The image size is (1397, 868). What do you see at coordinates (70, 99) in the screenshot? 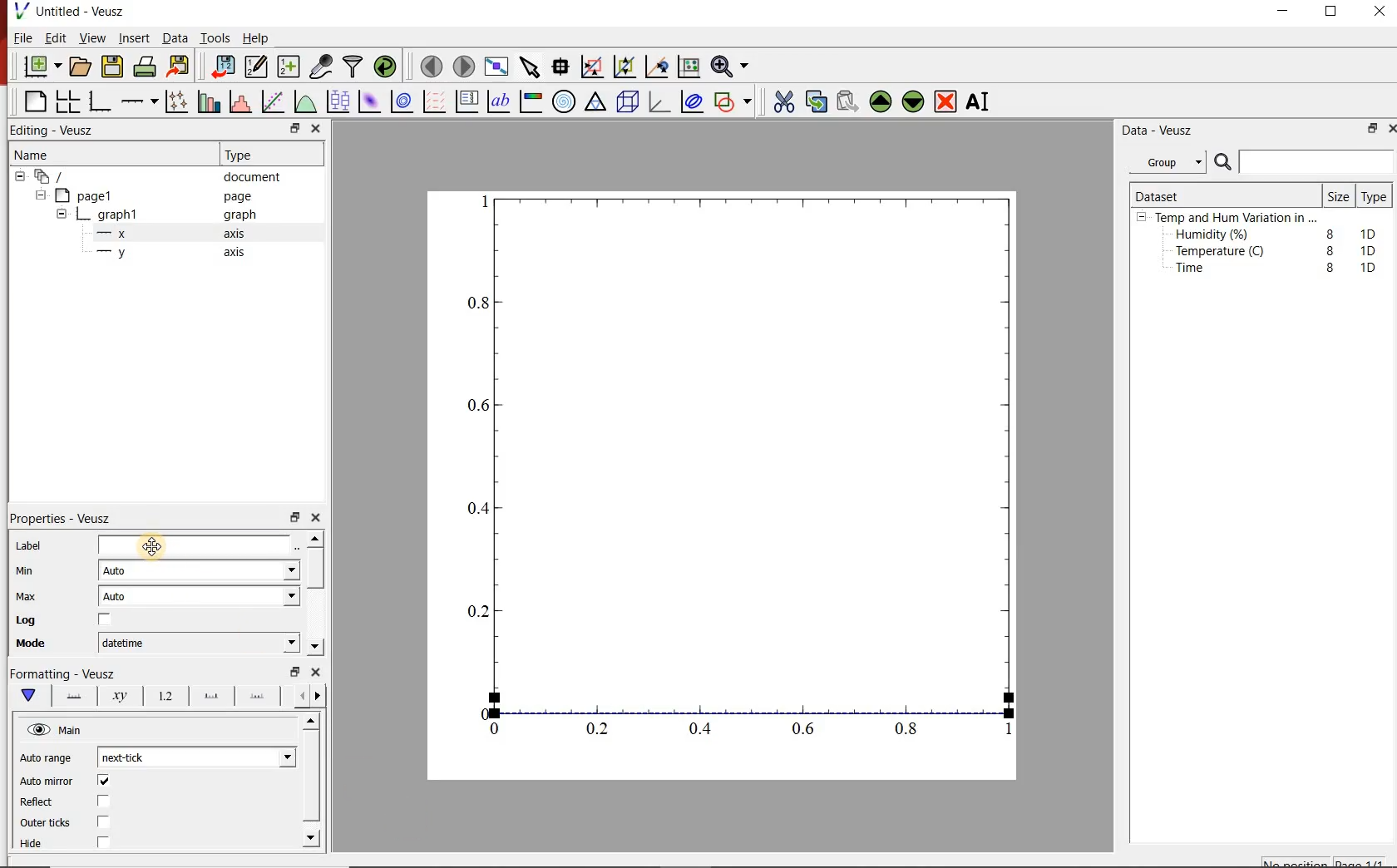
I see `arrange graphs in a grid` at bounding box center [70, 99].